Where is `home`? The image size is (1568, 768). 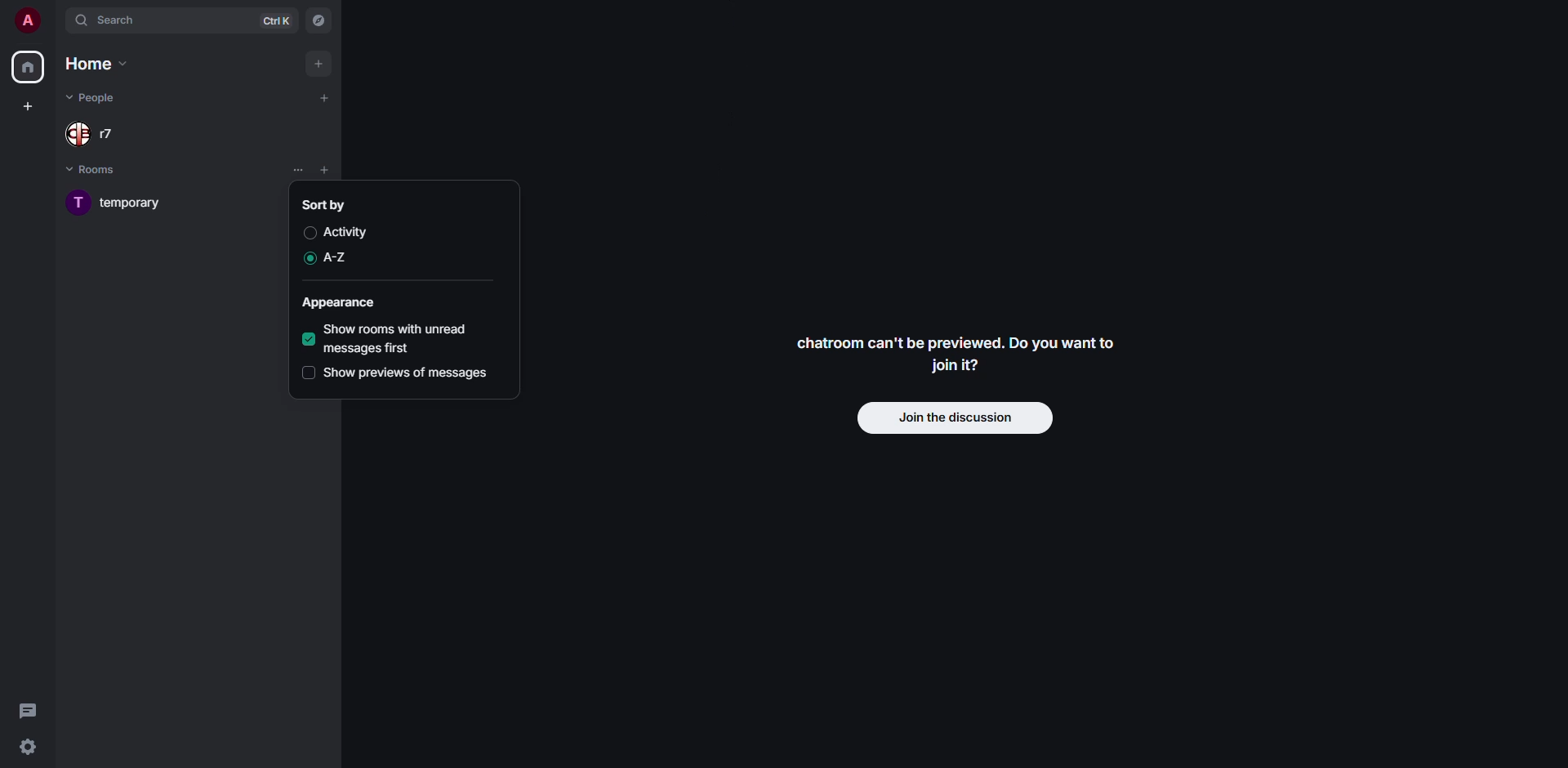 home is located at coordinates (29, 68).